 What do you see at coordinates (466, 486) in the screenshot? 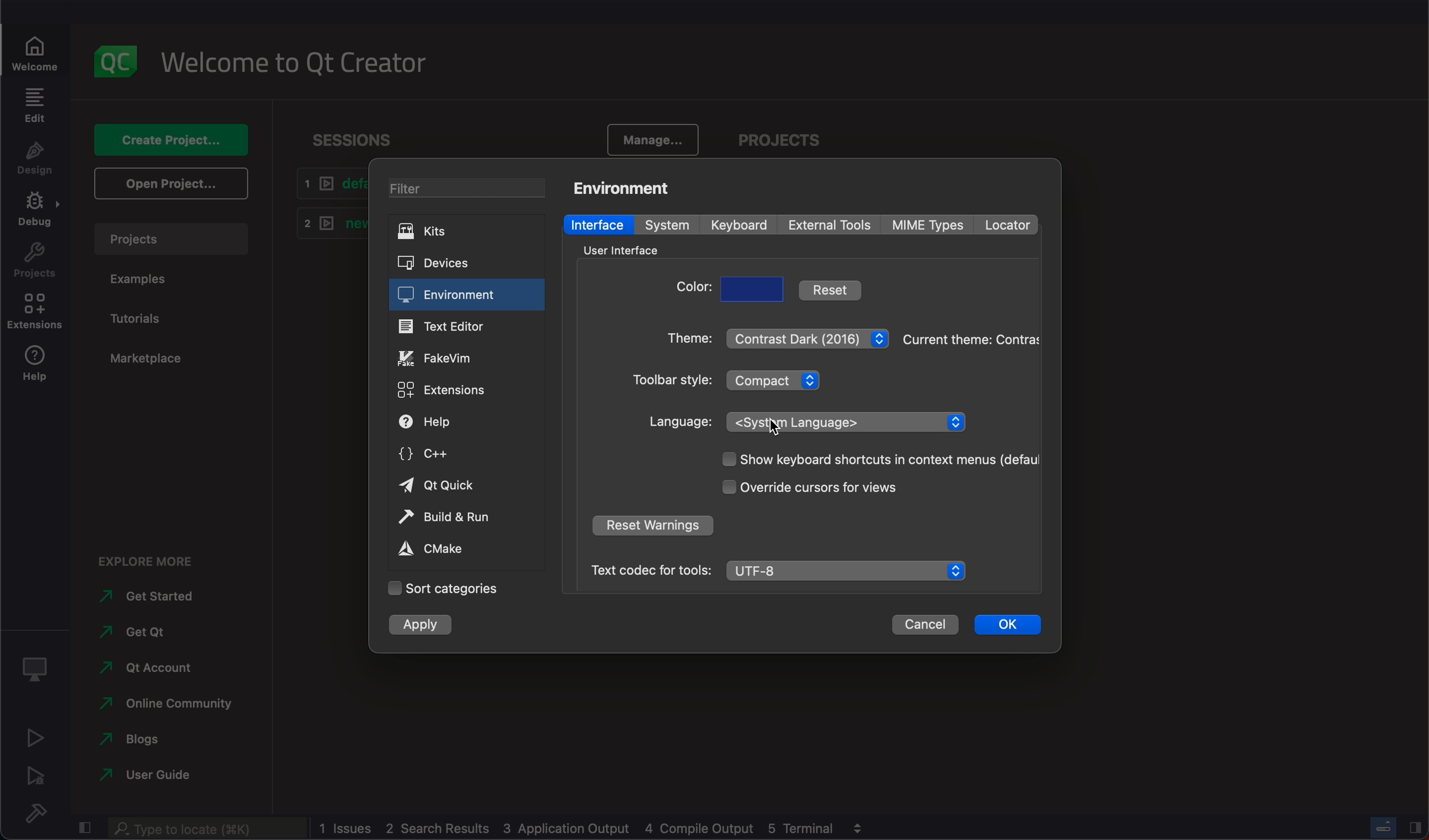
I see `qt quick` at bounding box center [466, 486].